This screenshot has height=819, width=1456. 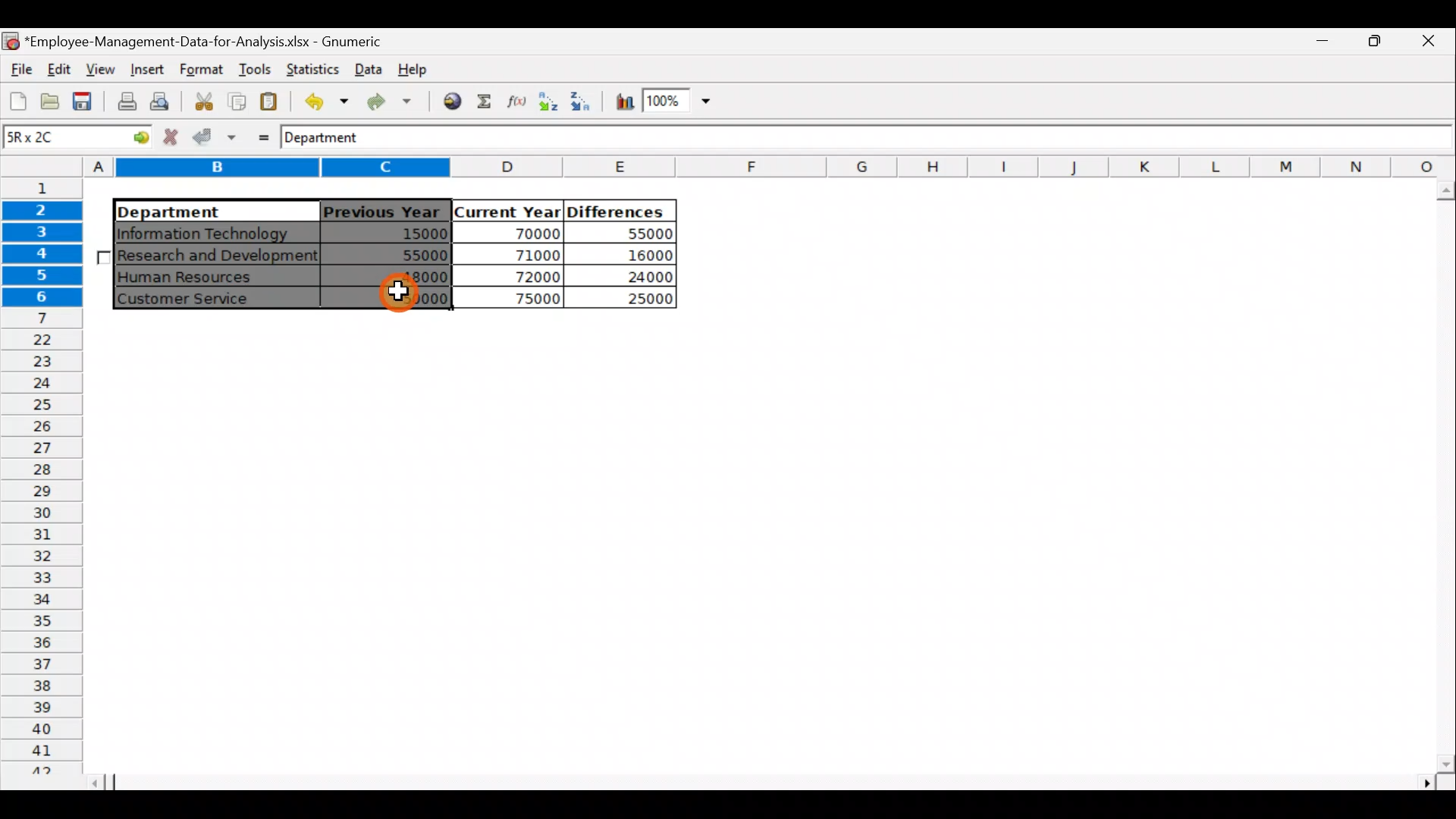 I want to click on Statistics, so click(x=313, y=68).